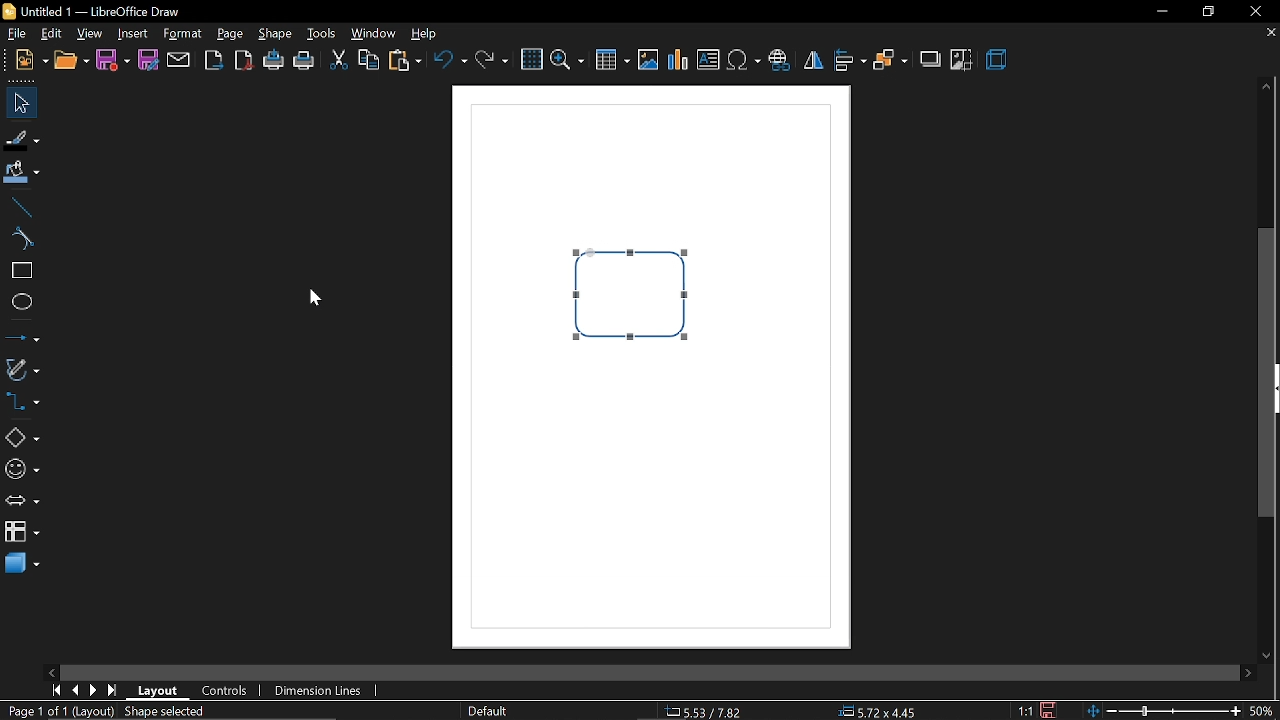 This screenshot has width=1280, height=720. I want to click on position, so click(882, 712).